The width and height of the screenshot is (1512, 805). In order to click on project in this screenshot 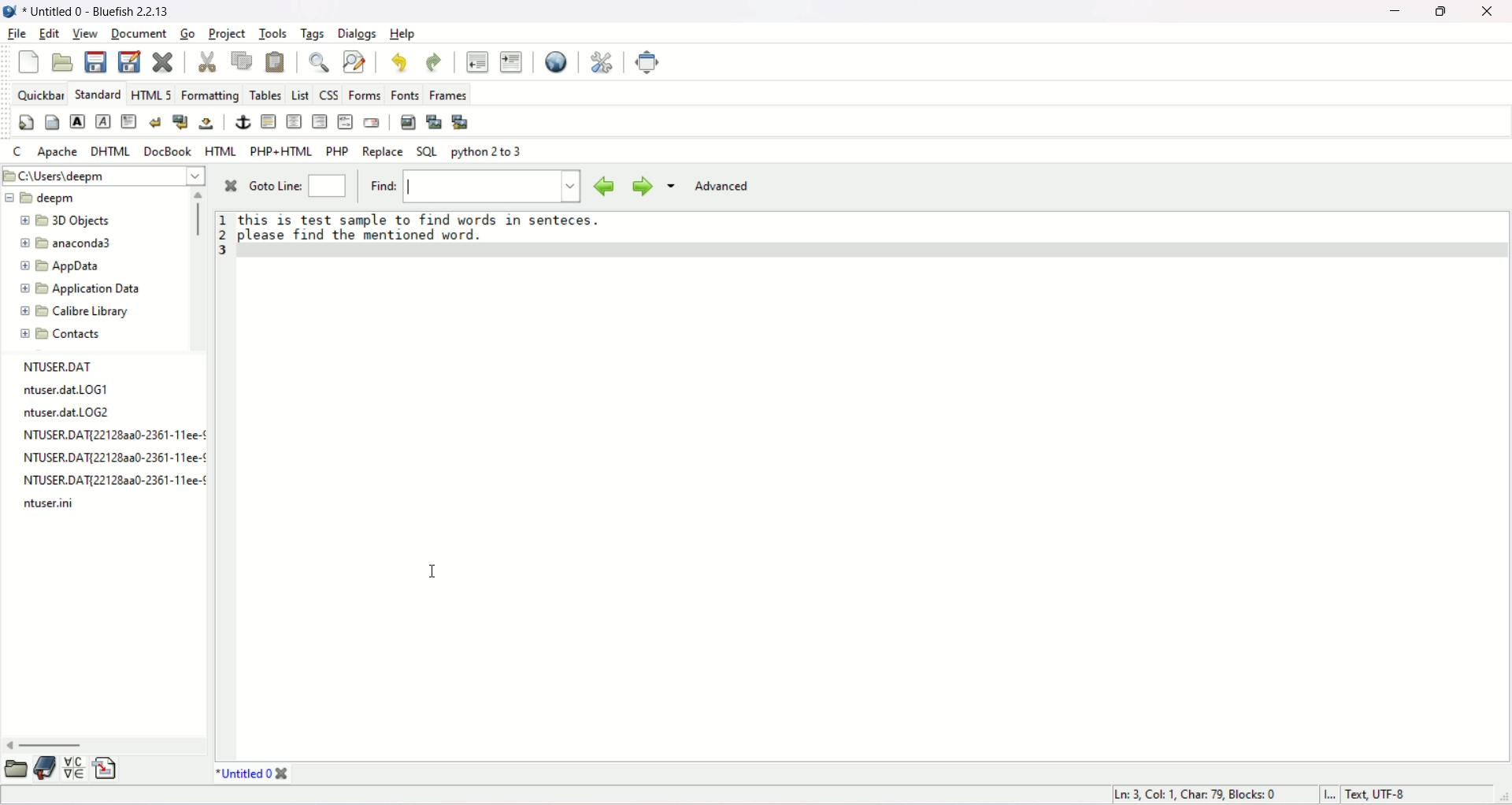, I will do `click(226, 33)`.